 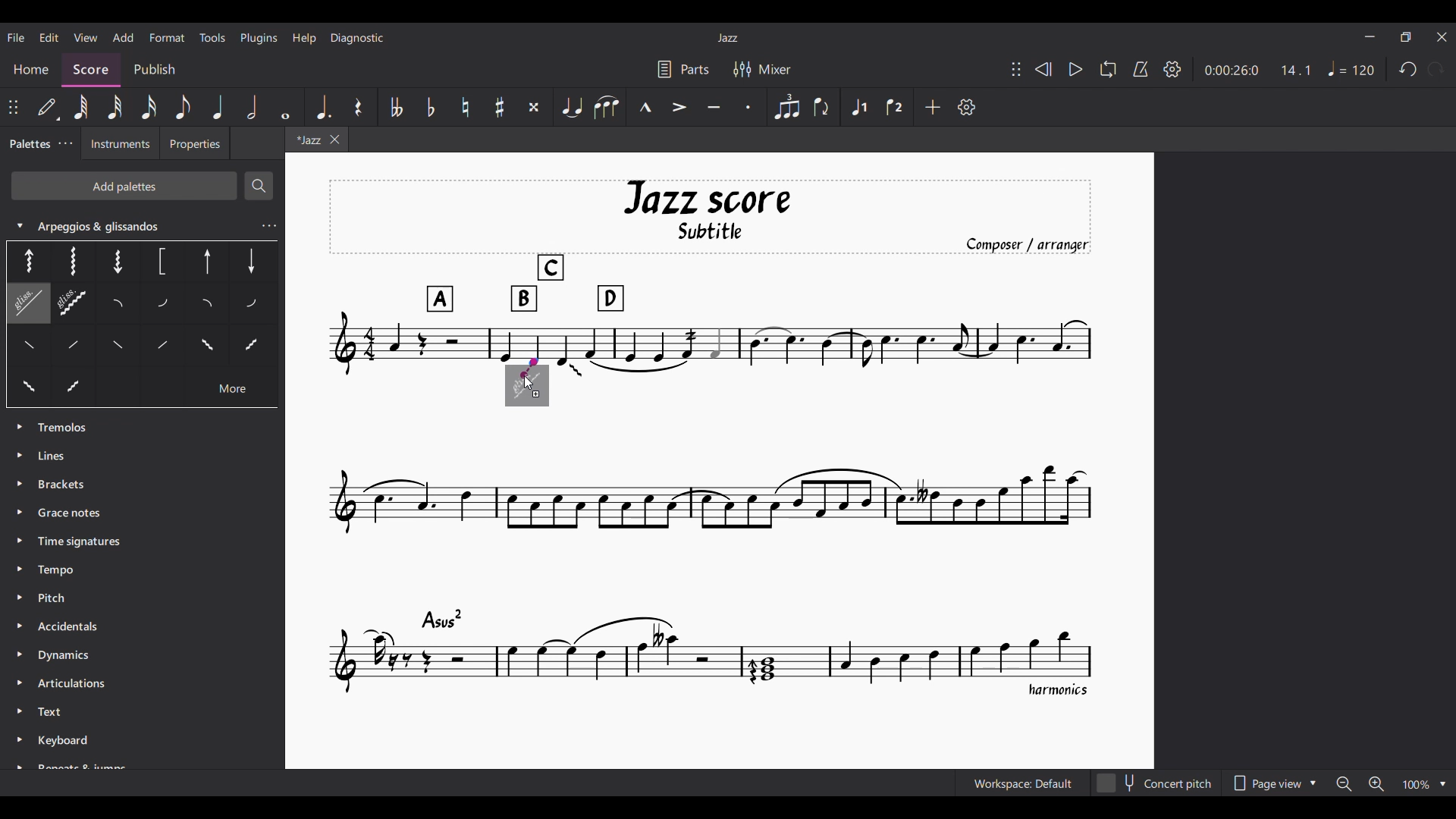 What do you see at coordinates (29, 145) in the screenshot?
I see `Palettes` at bounding box center [29, 145].